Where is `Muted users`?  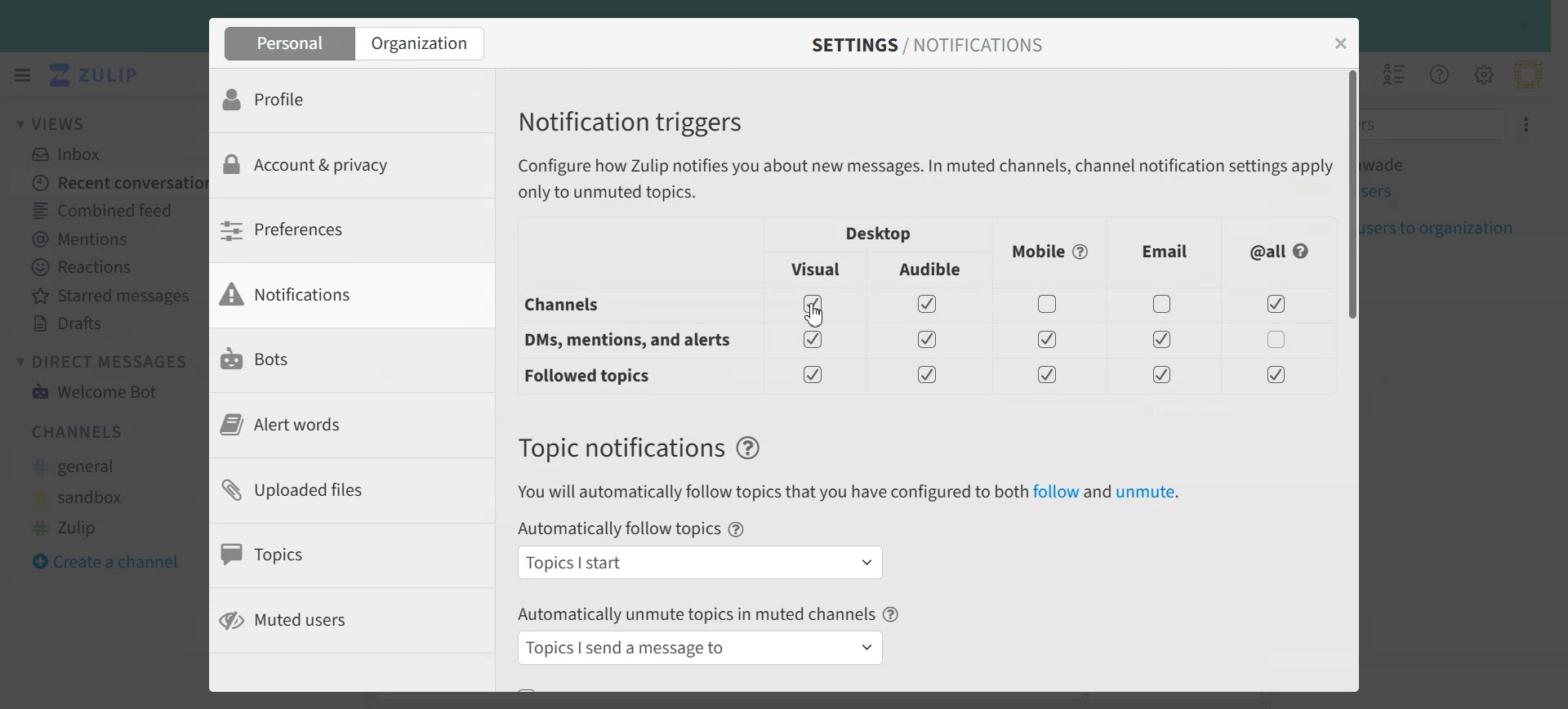
Muted users is located at coordinates (325, 621).